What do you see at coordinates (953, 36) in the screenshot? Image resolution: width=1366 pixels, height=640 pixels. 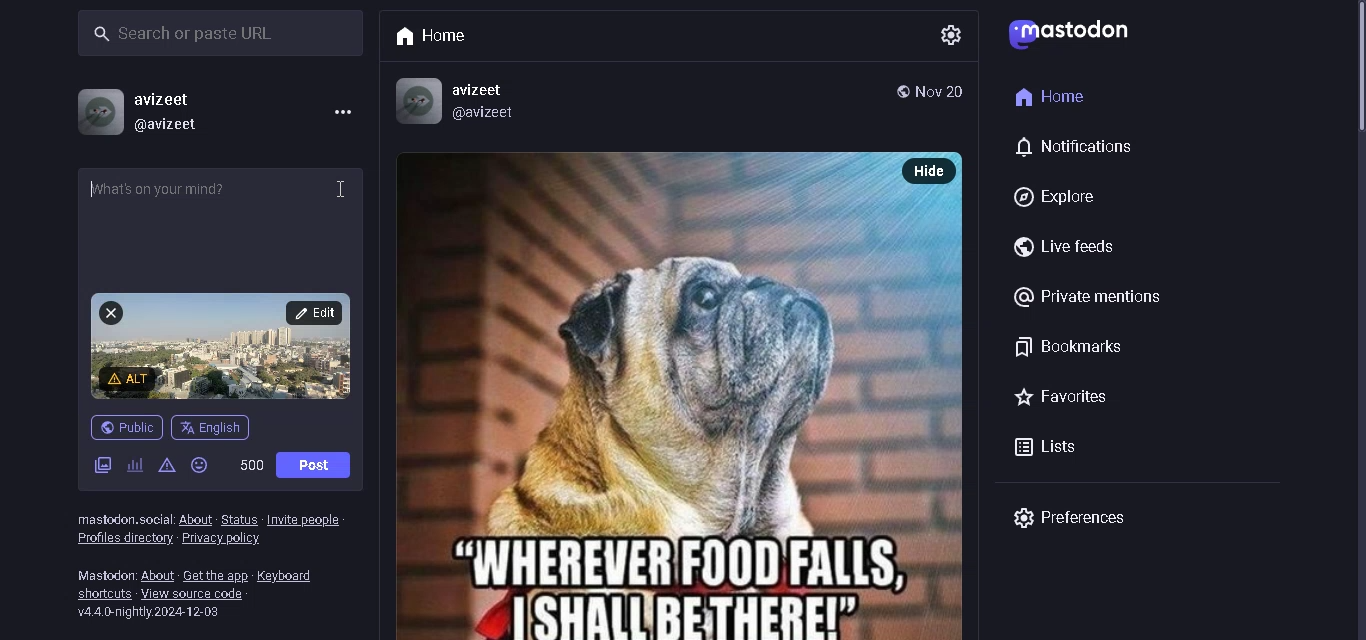 I see `settings` at bounding box center [953, 36].